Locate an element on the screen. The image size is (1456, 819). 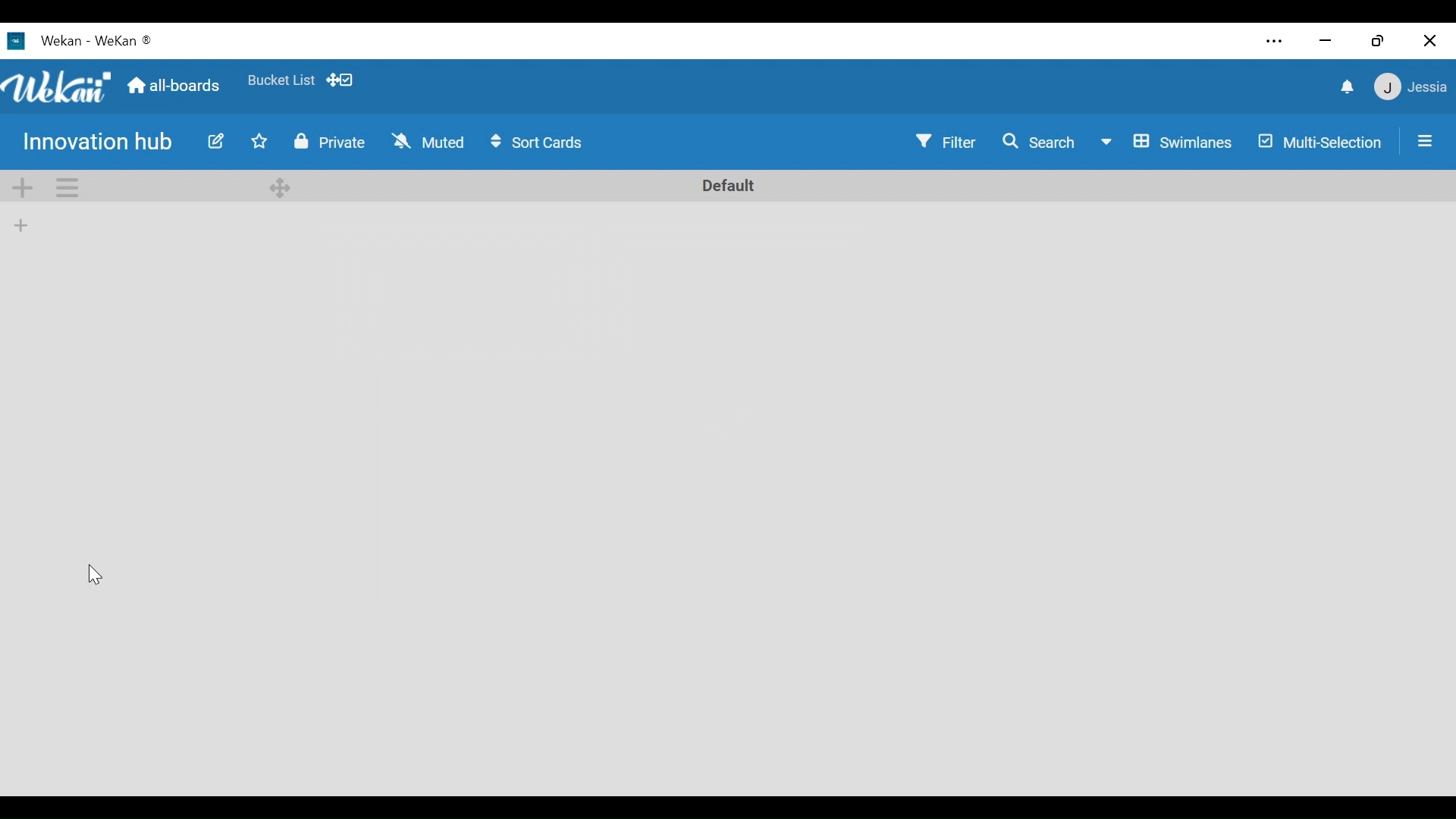
Desktop drag handle is located at coordinates (280, 187).